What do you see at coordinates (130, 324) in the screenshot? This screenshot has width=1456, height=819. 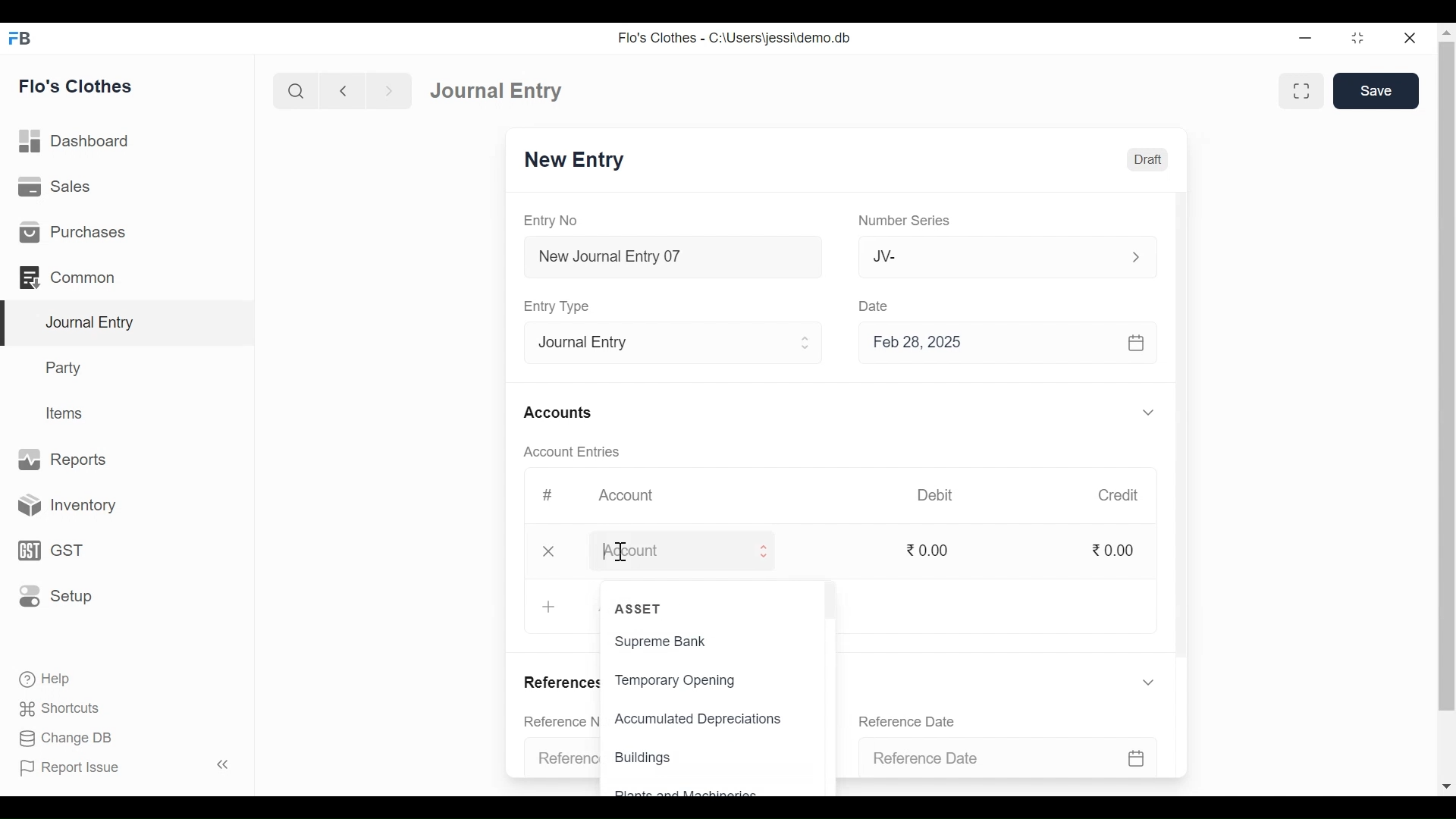 I see `Journal Entry` at bounding box center [130, 324].